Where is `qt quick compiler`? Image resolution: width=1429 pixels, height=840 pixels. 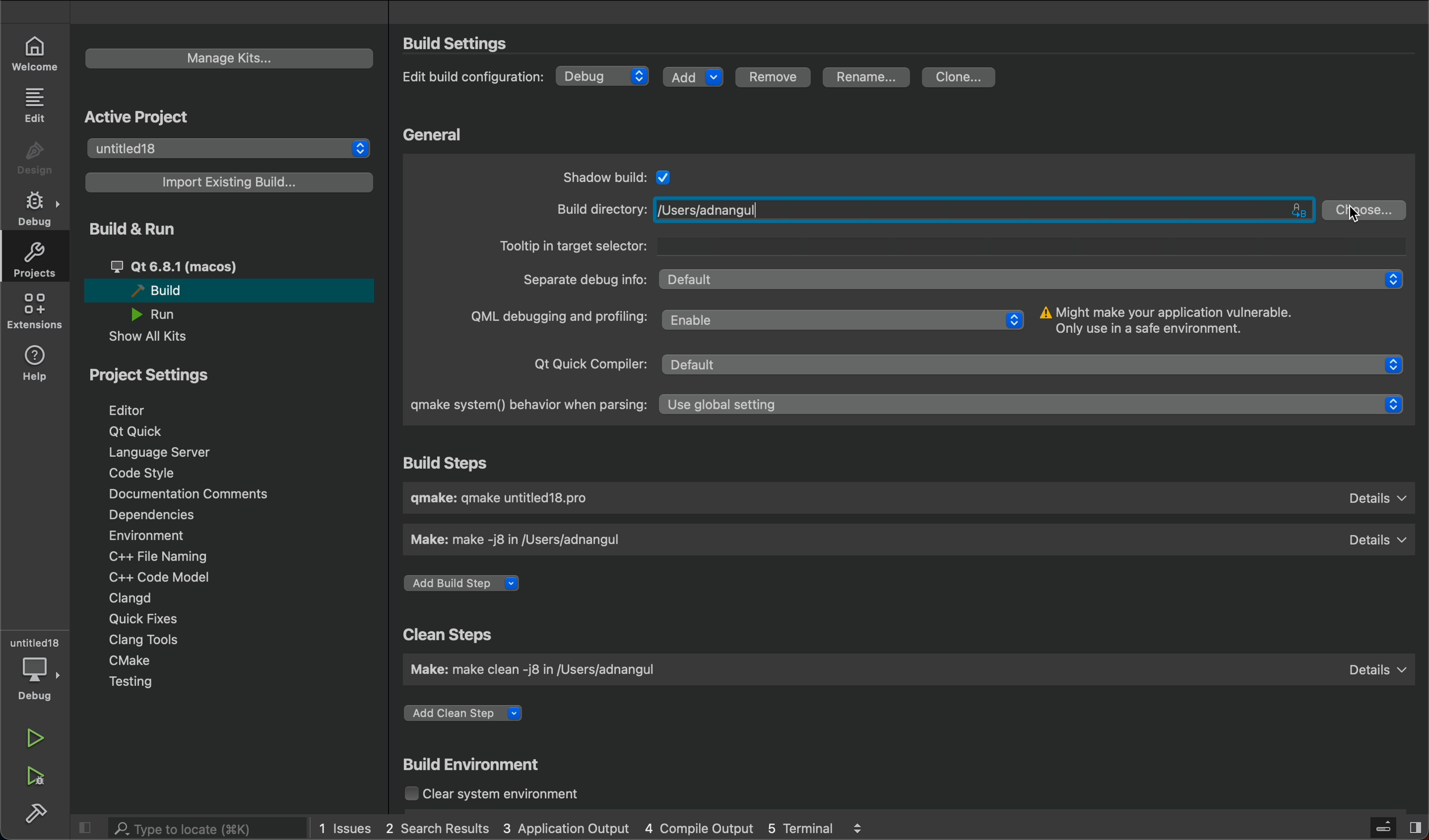
qt quick compiler is located at coordinates (582, 366).